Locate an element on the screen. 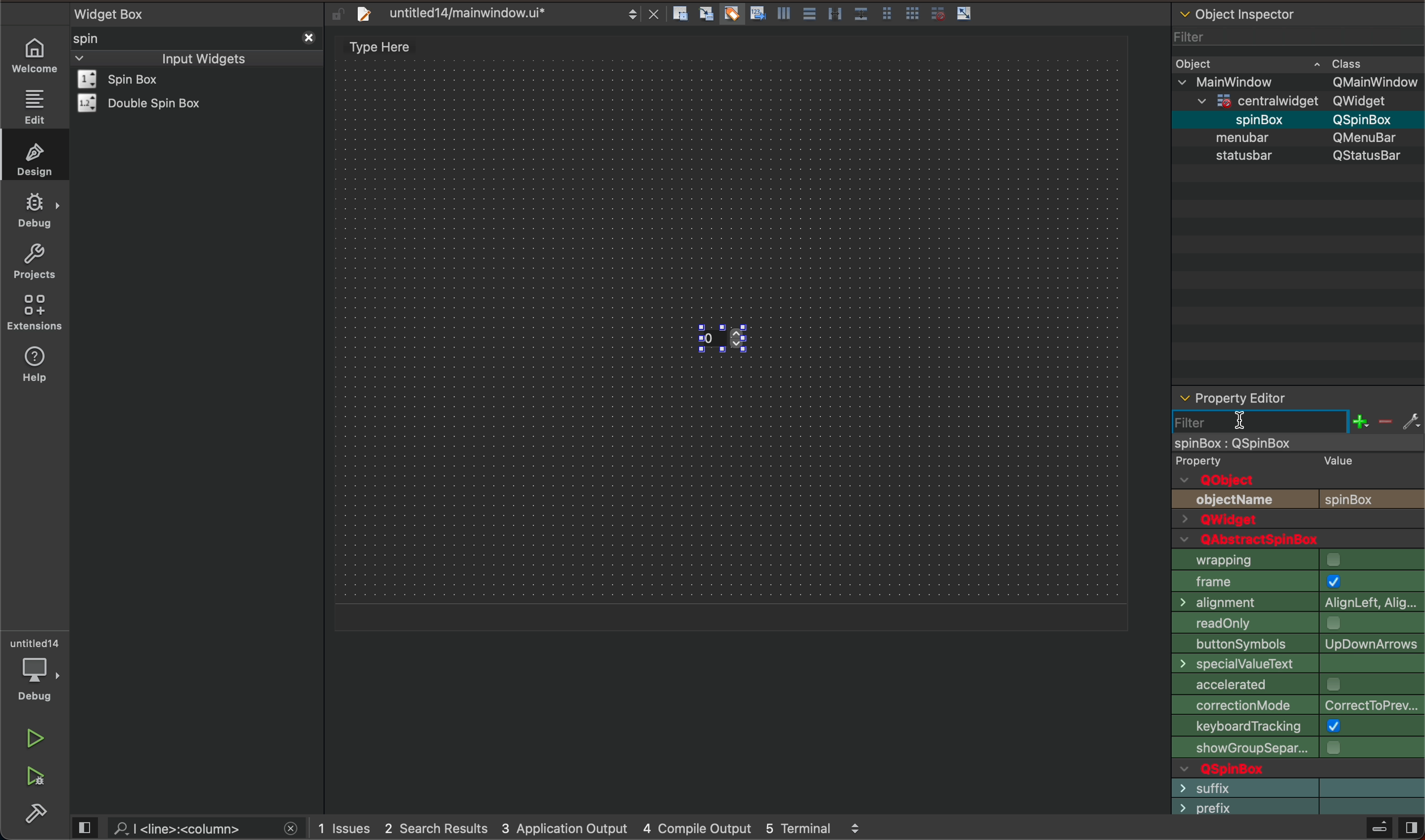  edit is located at coordinates (33, 106).